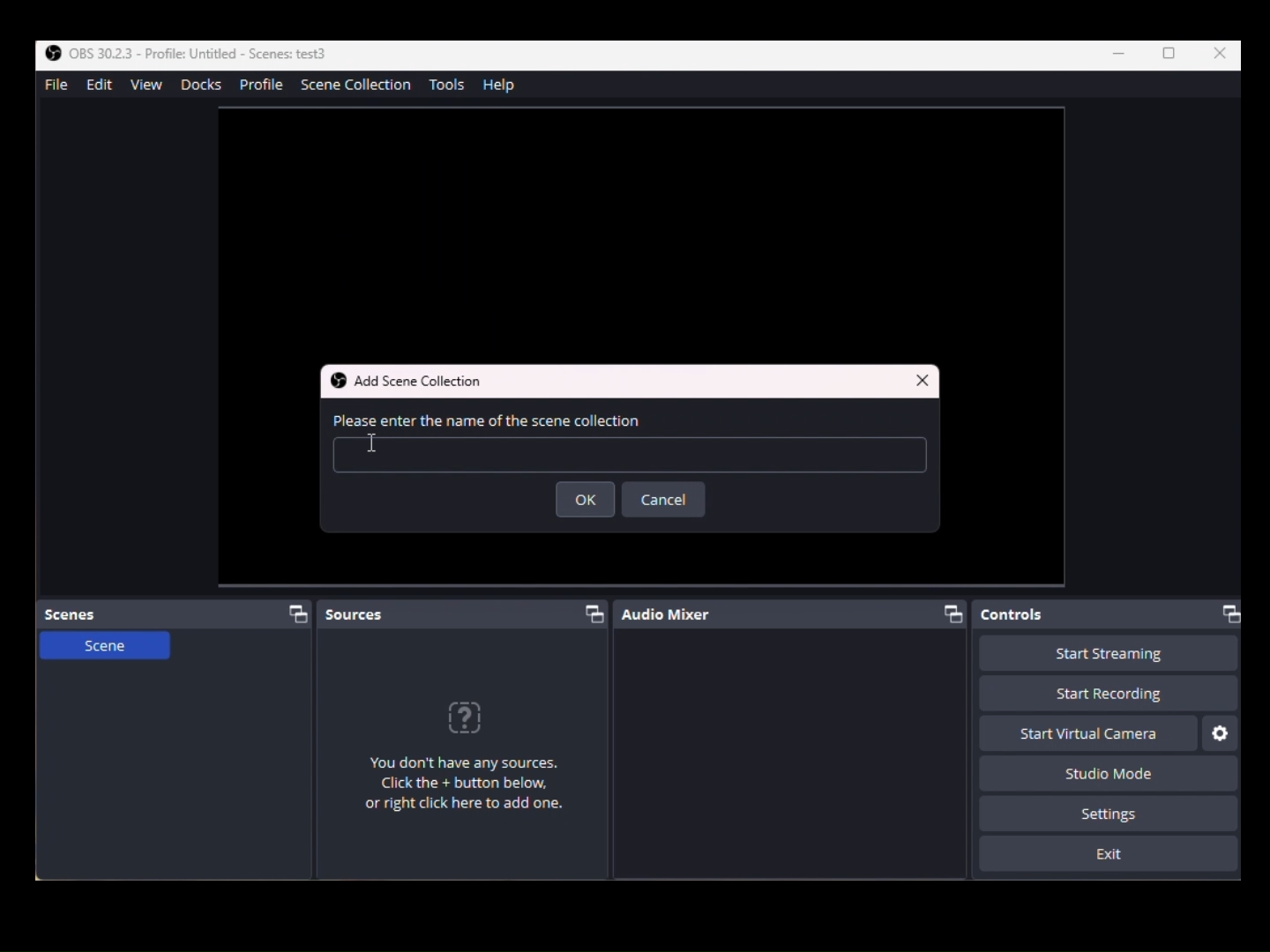 The width and height of the screenshot is (1270, 952). I want to click on Audio Mixer, so click(796, 615).